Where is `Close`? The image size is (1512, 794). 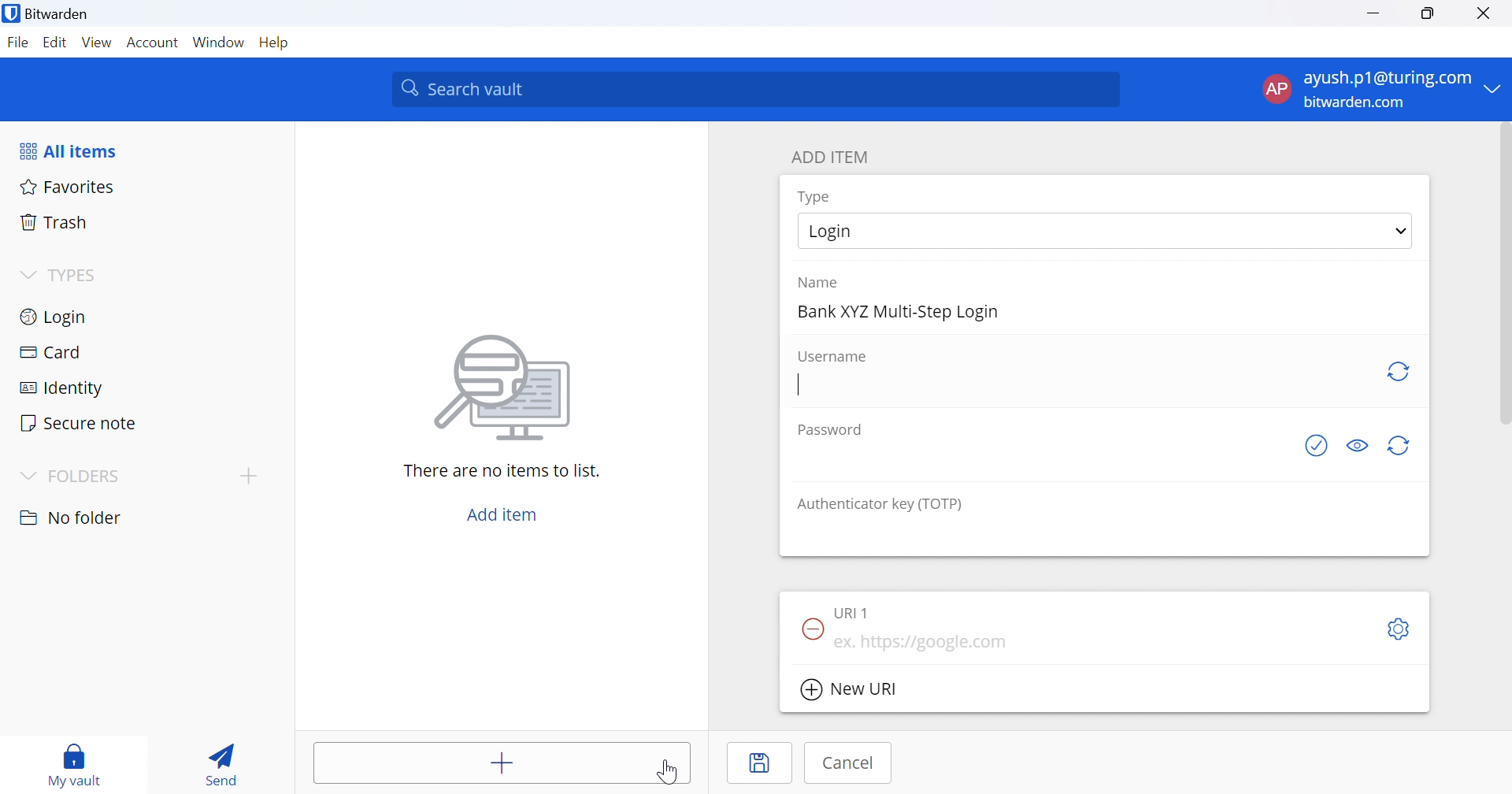
Close is located at coordinates (1486, 15).